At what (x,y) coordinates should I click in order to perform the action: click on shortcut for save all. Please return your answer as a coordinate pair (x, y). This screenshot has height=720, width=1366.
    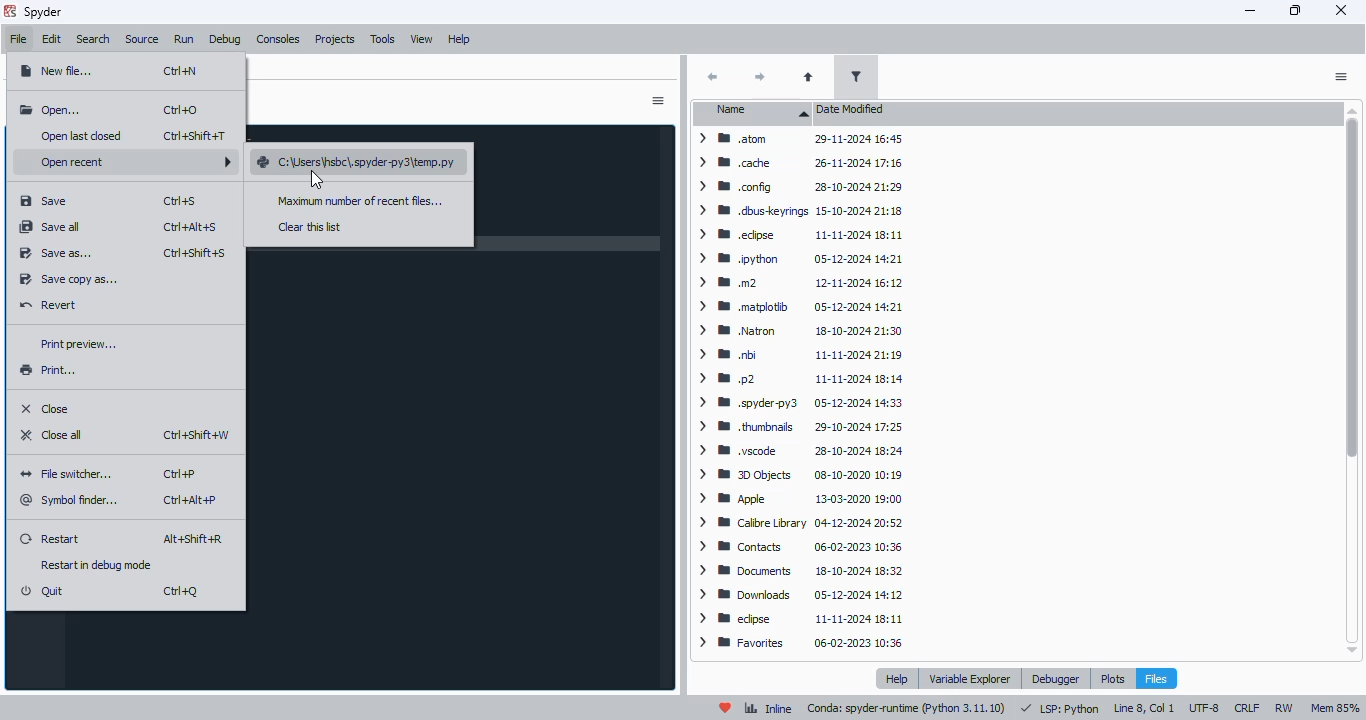
    Looking at the image, I should click on (192, 227).